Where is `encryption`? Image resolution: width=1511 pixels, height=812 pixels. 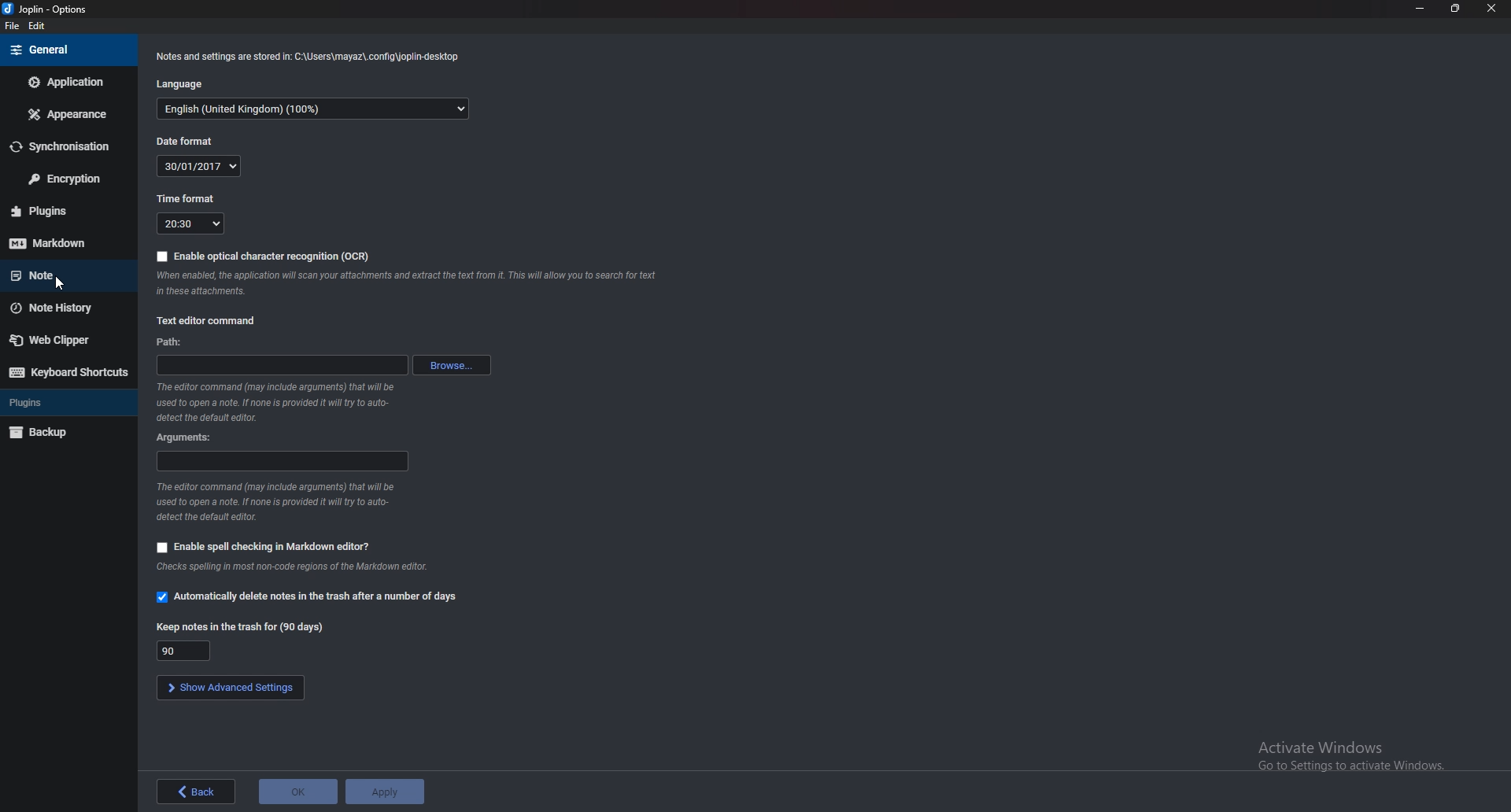 encryption is located at coordinates (69, 179).